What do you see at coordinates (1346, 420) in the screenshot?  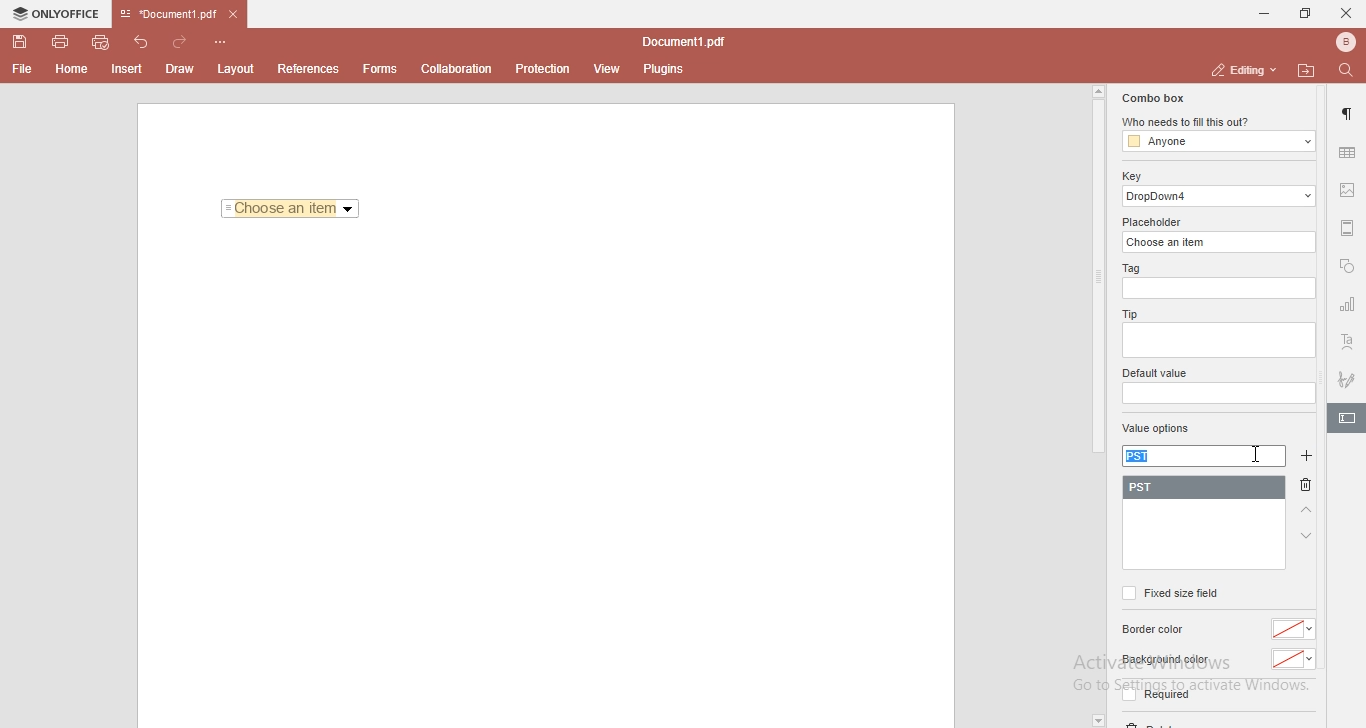 I see `highlighted` at bounding box center [1346, 420].